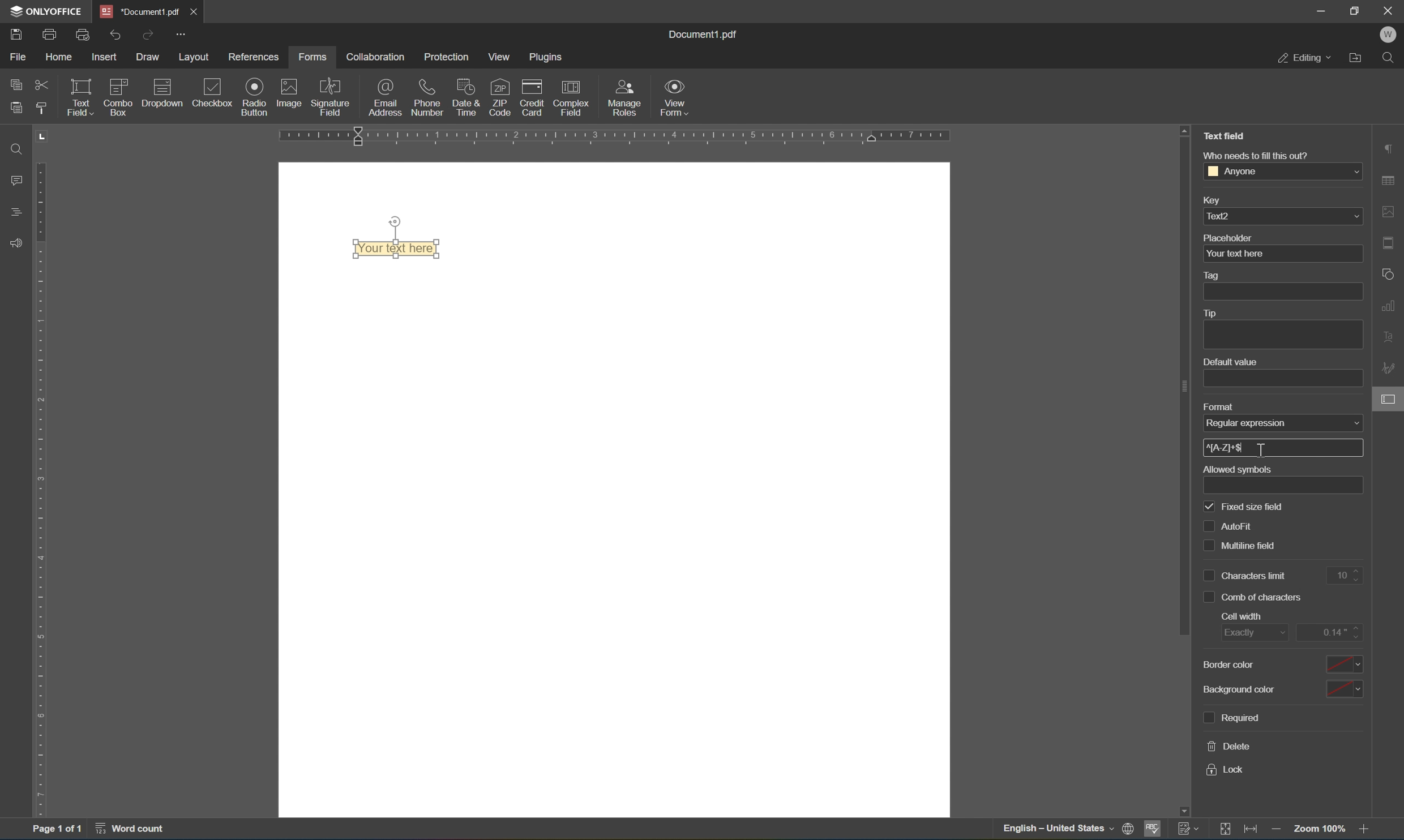 The width and height of the screenshot is (1404, 840). Describe the element at coordinates (1216, 406) in the screenshot. I see `format` at that location.